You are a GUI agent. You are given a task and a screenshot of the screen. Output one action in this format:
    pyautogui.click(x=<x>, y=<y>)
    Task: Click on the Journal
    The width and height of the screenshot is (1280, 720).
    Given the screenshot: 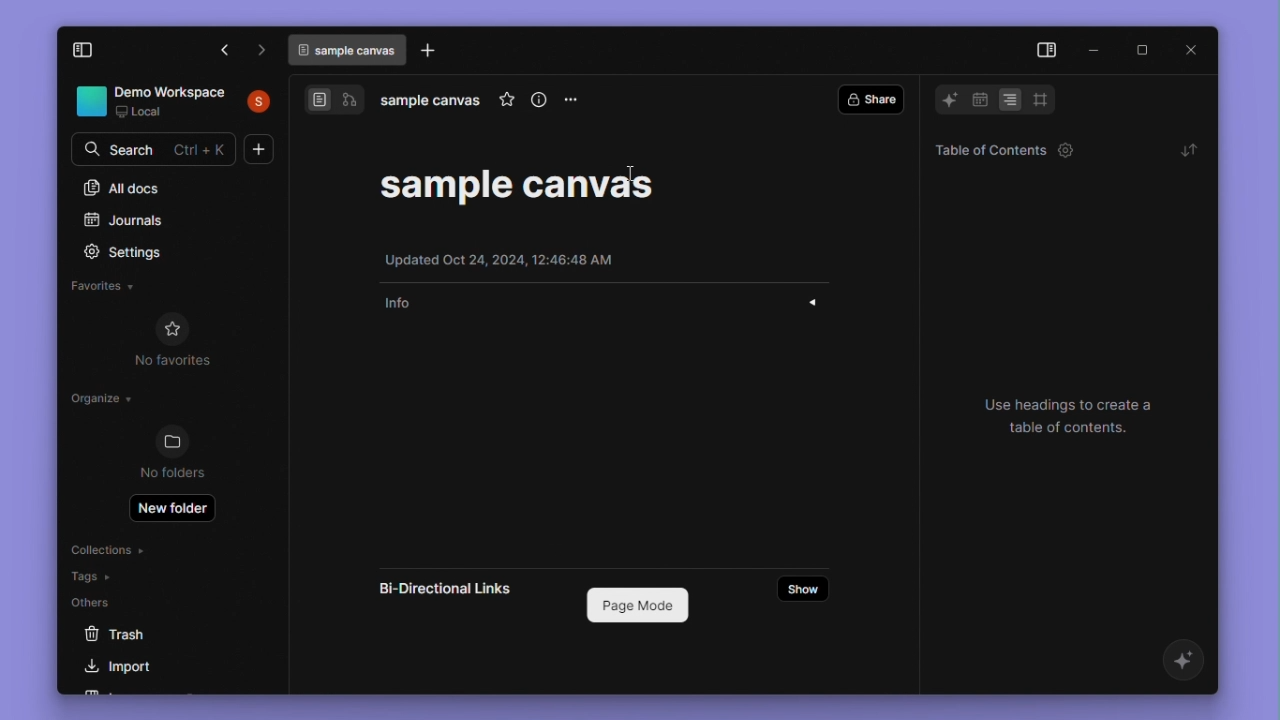 What is the action you would take?
    pyautogui.click(x=126, y=222)
    